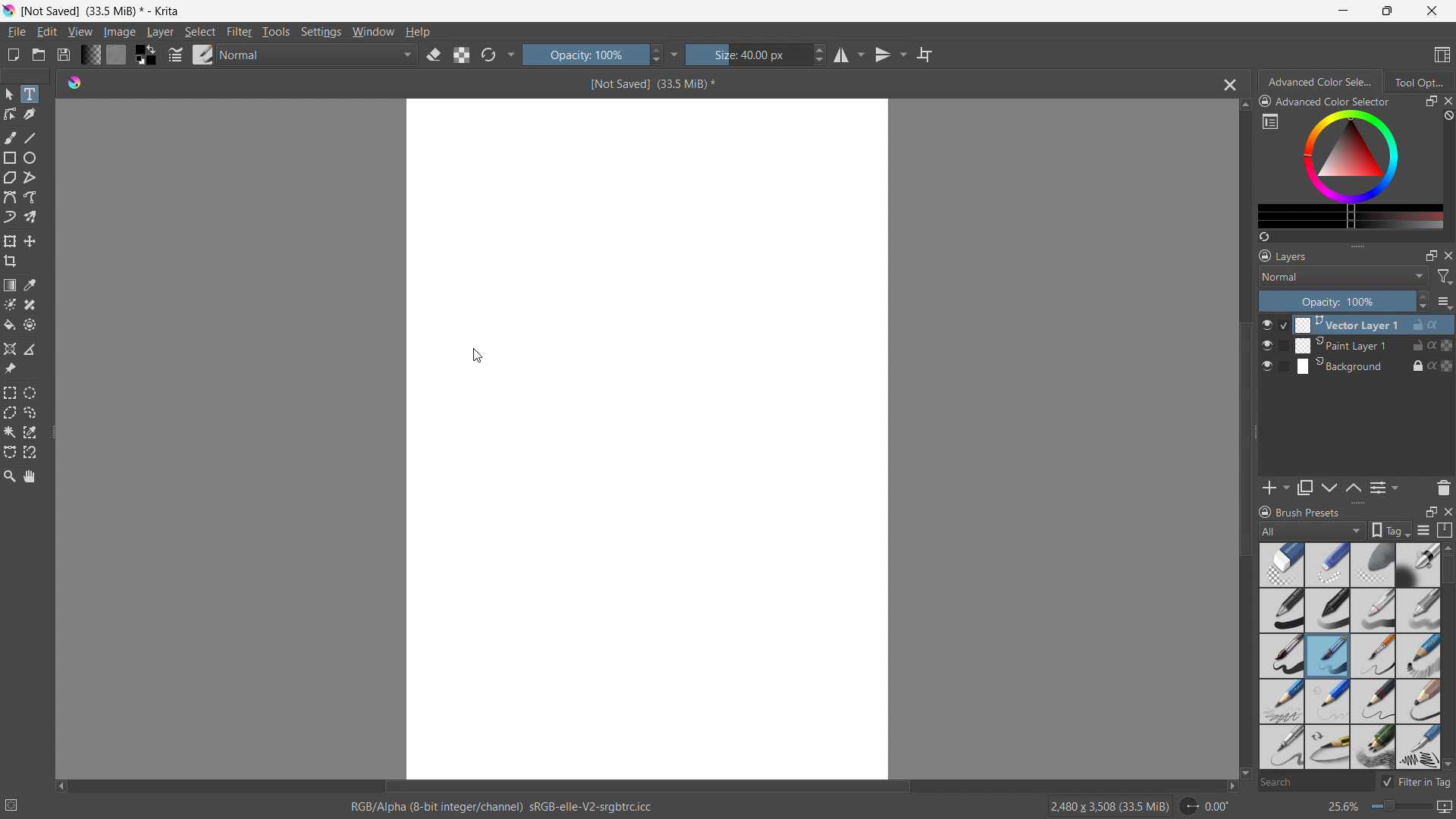 This screenshot has width=1456, height=819. Describe the element at coordinates (90, 54) in the screenshot. I see `fill gradients` at that location.